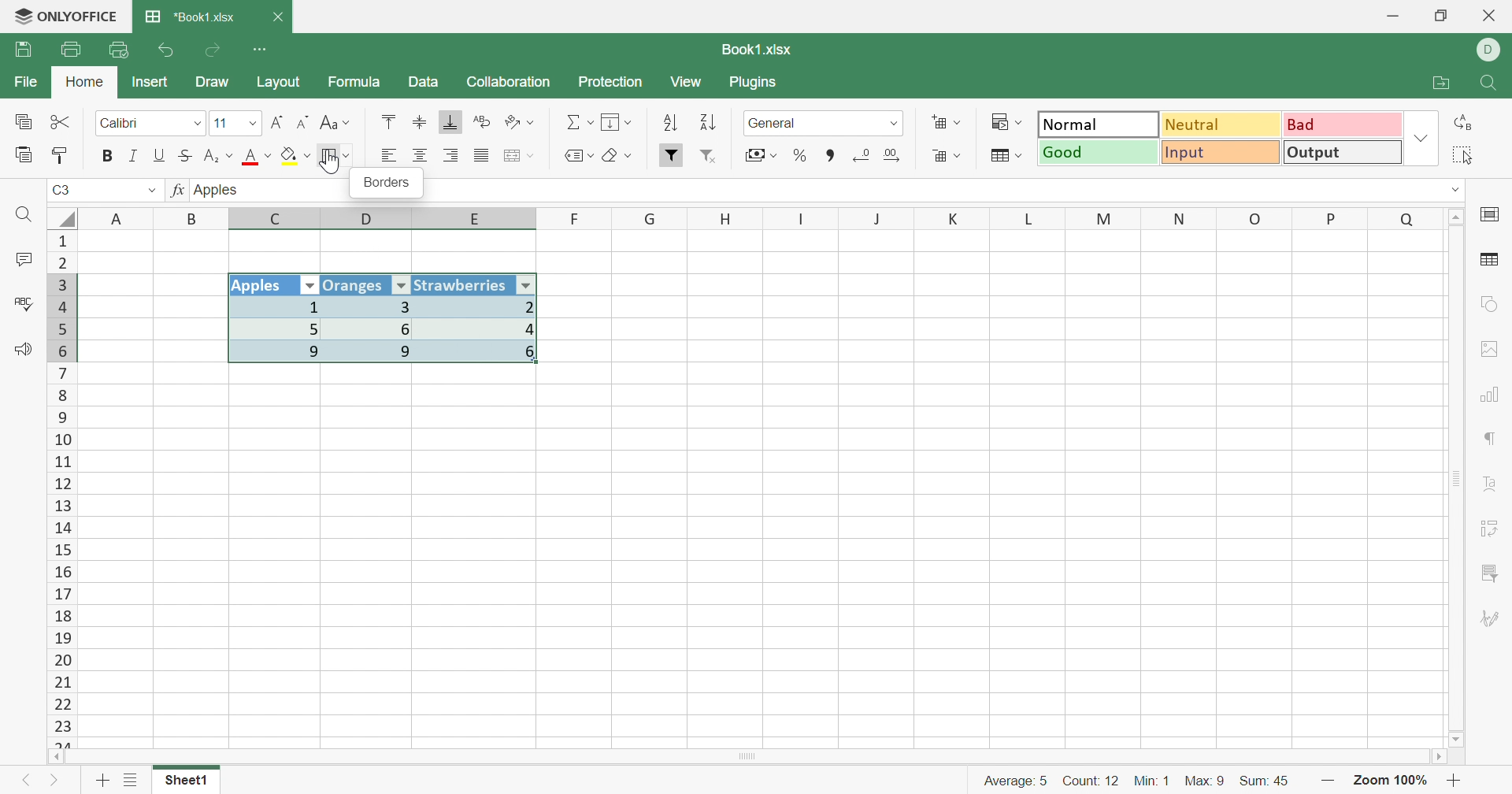 Image resolution: width=1512 pixels, height=794 pixels. Describe the element at coordinates (424, 83) in the screenshot. I see `Data` at that location.